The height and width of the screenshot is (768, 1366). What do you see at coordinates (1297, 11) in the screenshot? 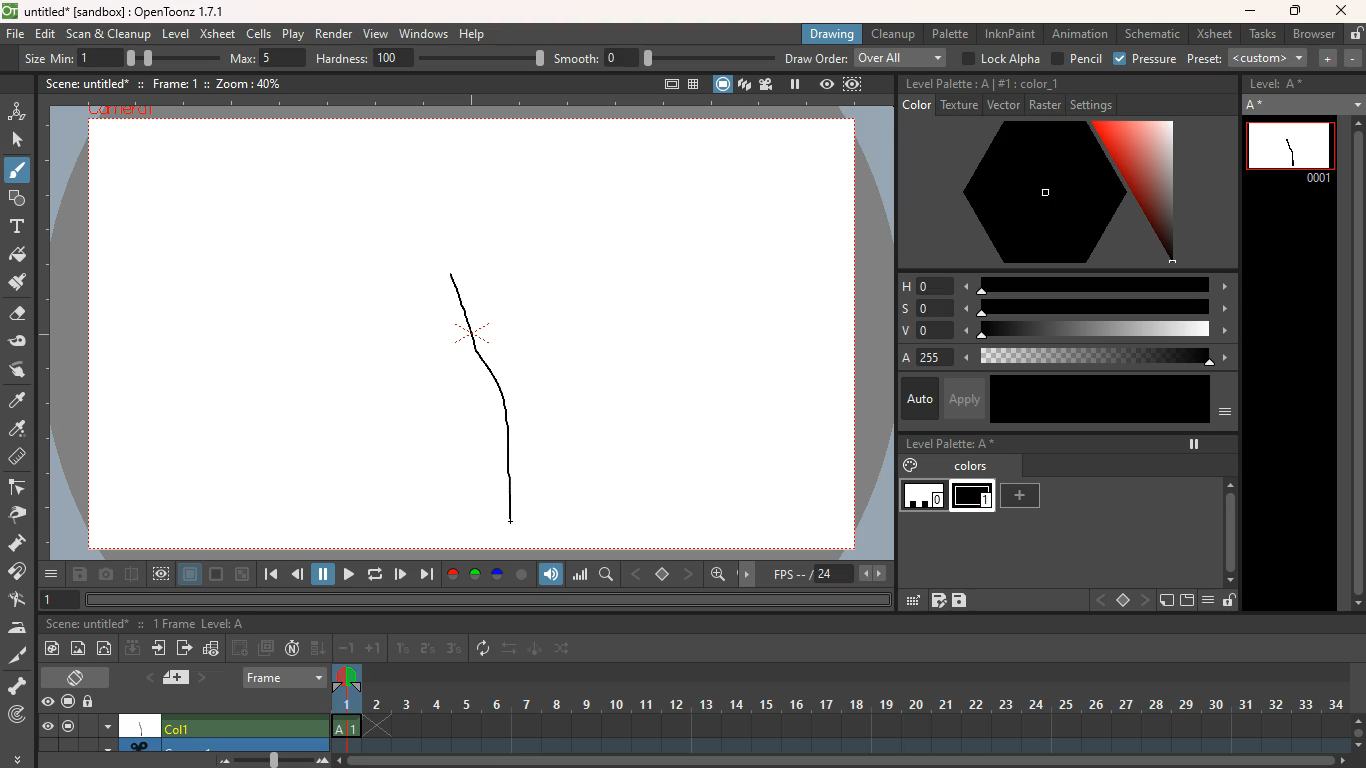
I see `maximize` at bounding box center [1297, 11].